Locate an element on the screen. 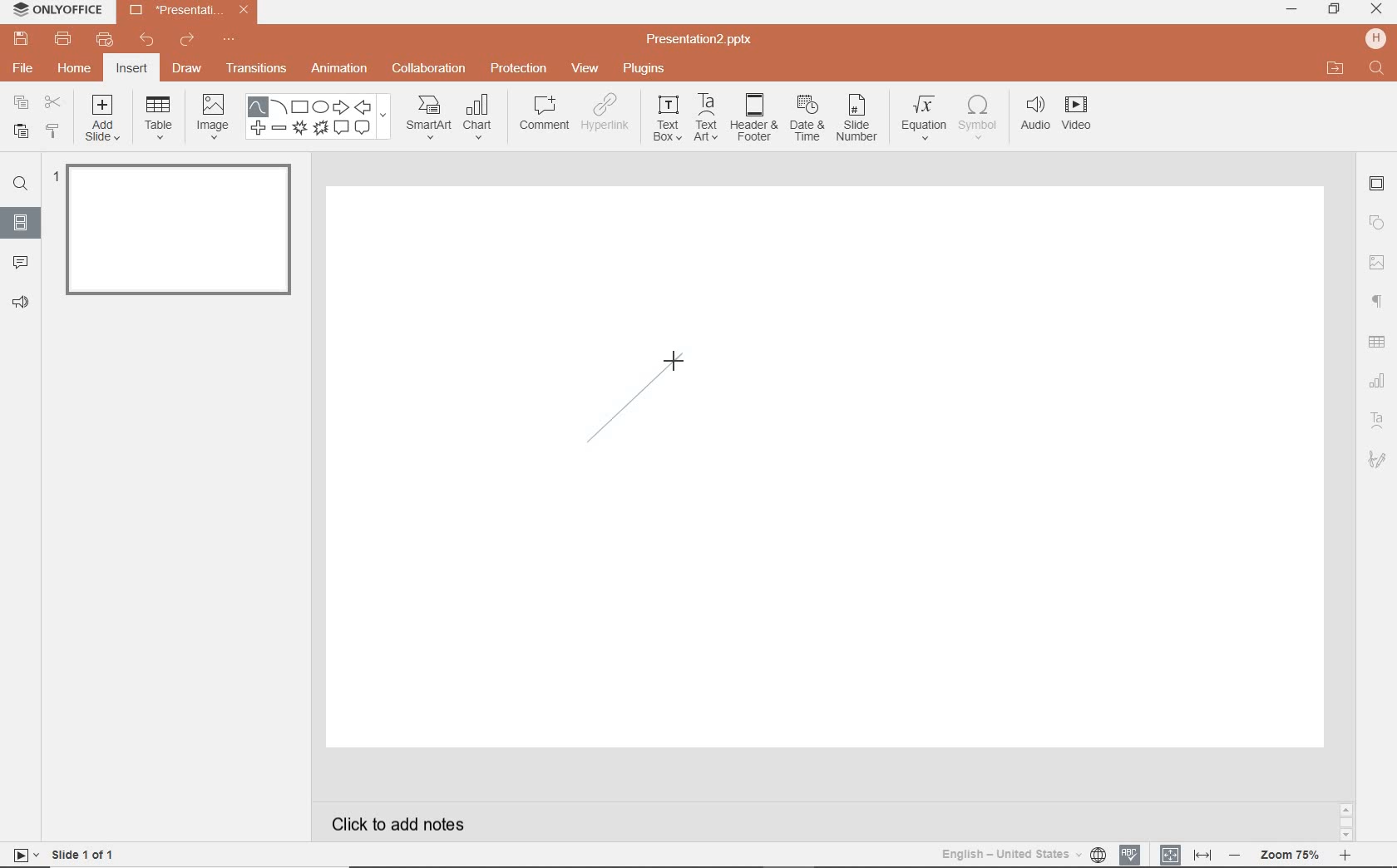 Image resolution: width=1397 pixels, height=868 pixels. VIDEO is located at coordinates (1085, 116).